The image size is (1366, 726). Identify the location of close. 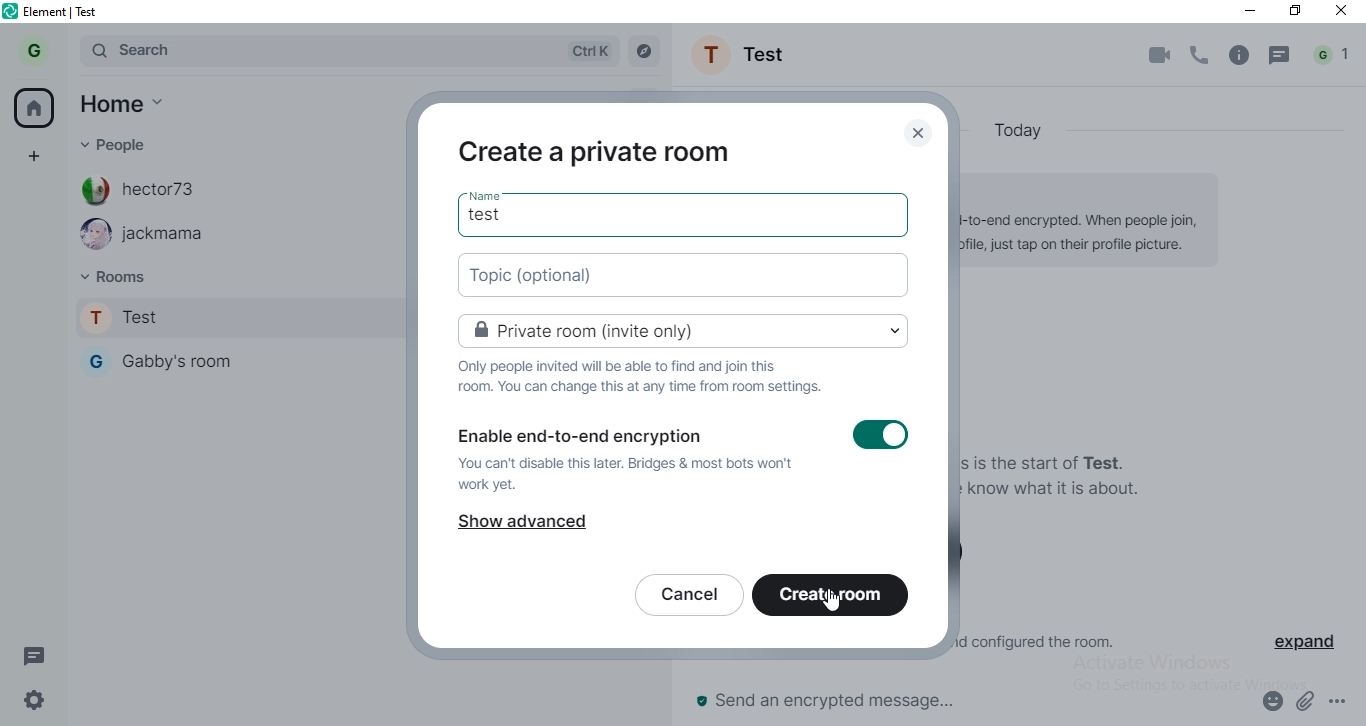
(1344, 14).